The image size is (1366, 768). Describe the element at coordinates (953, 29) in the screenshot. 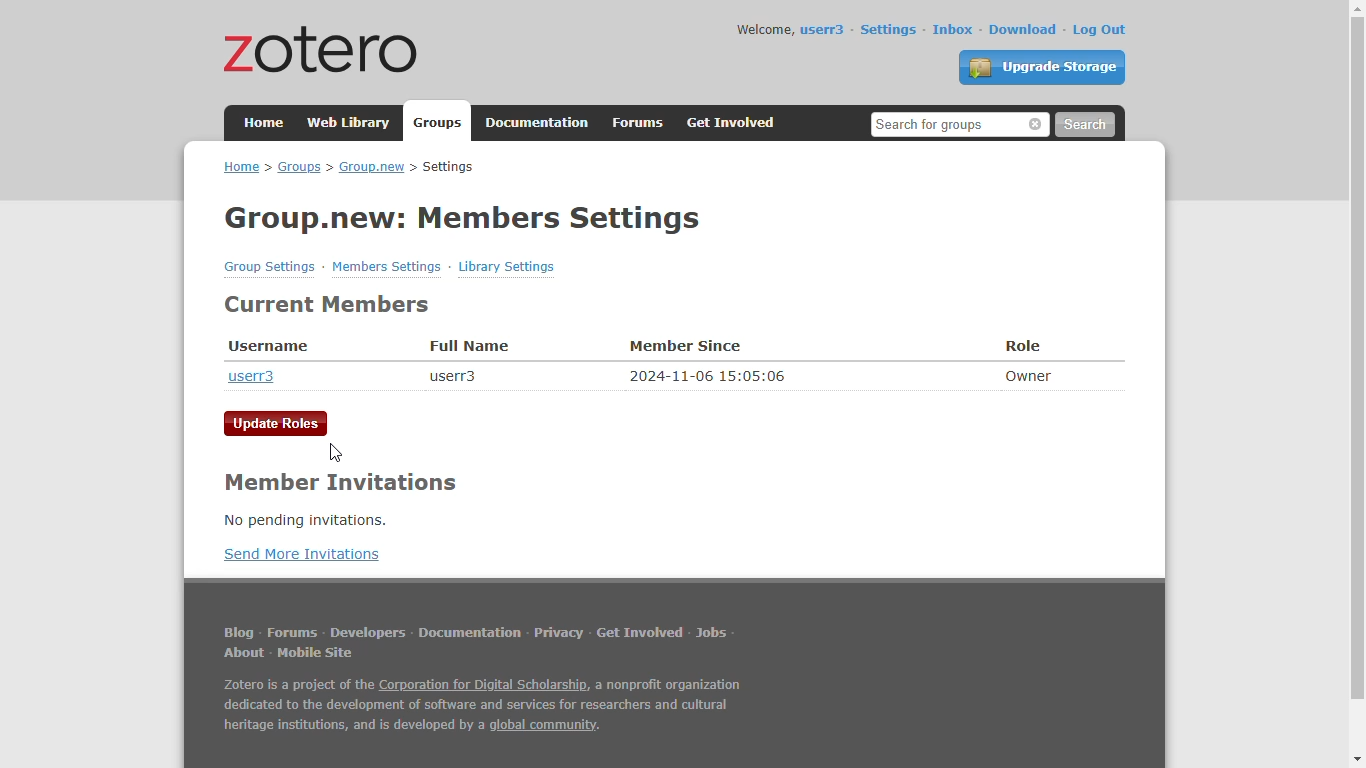

I see `inbox` at that location.